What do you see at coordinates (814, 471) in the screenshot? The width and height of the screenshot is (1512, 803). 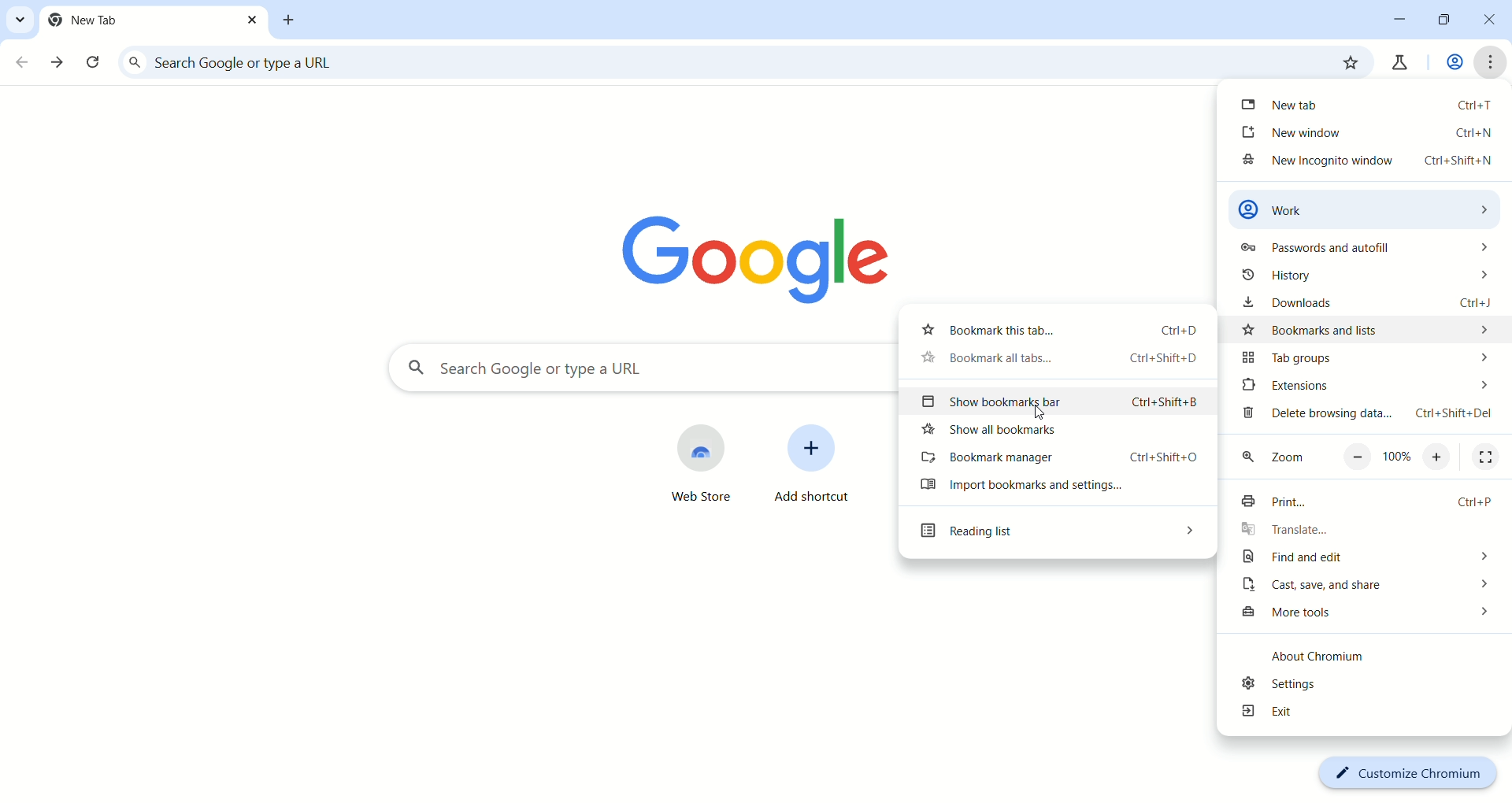 I see `add shortcut` at bounding box center [814, 471].